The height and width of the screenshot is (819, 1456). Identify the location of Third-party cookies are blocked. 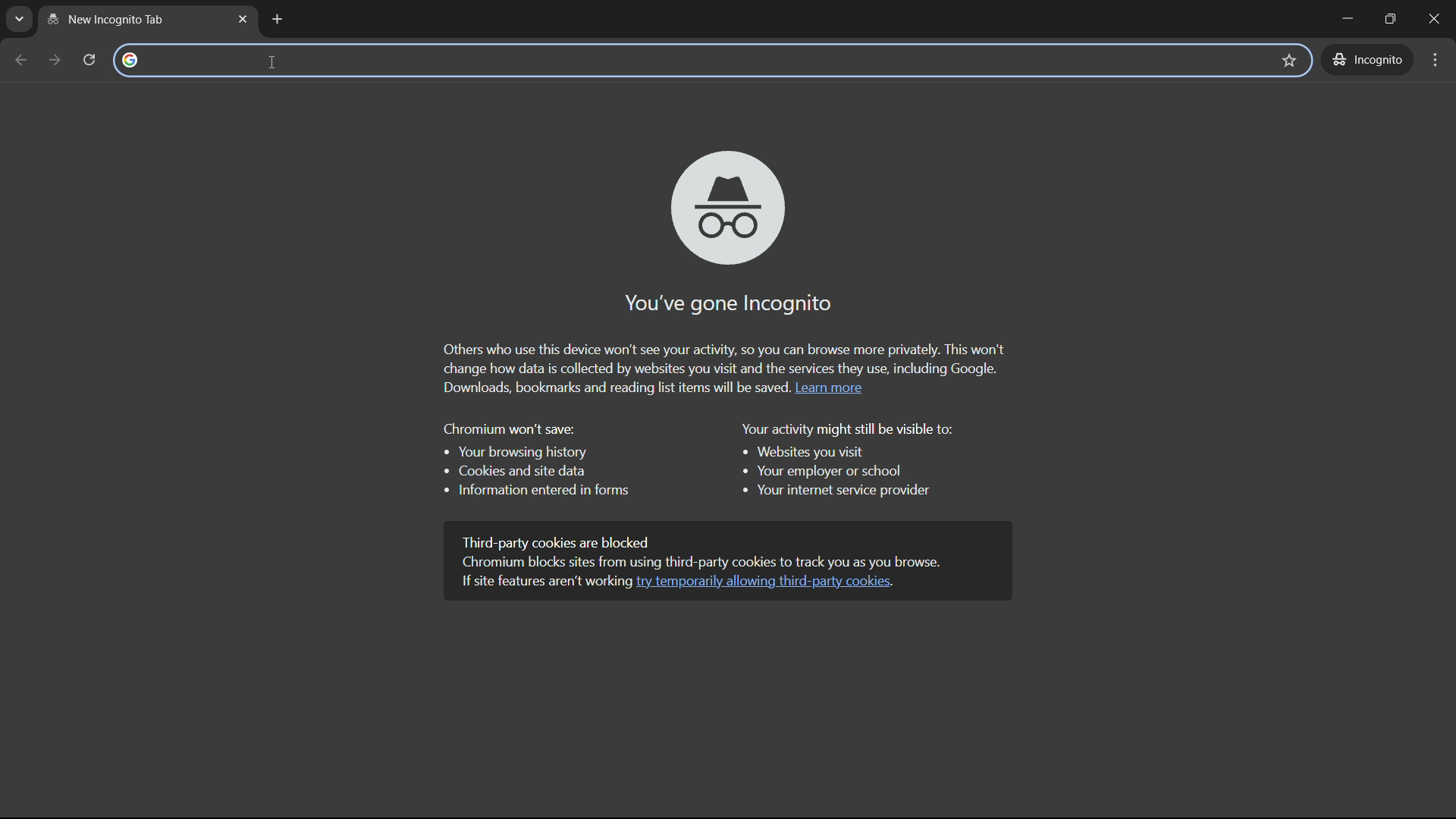
(570, 538).